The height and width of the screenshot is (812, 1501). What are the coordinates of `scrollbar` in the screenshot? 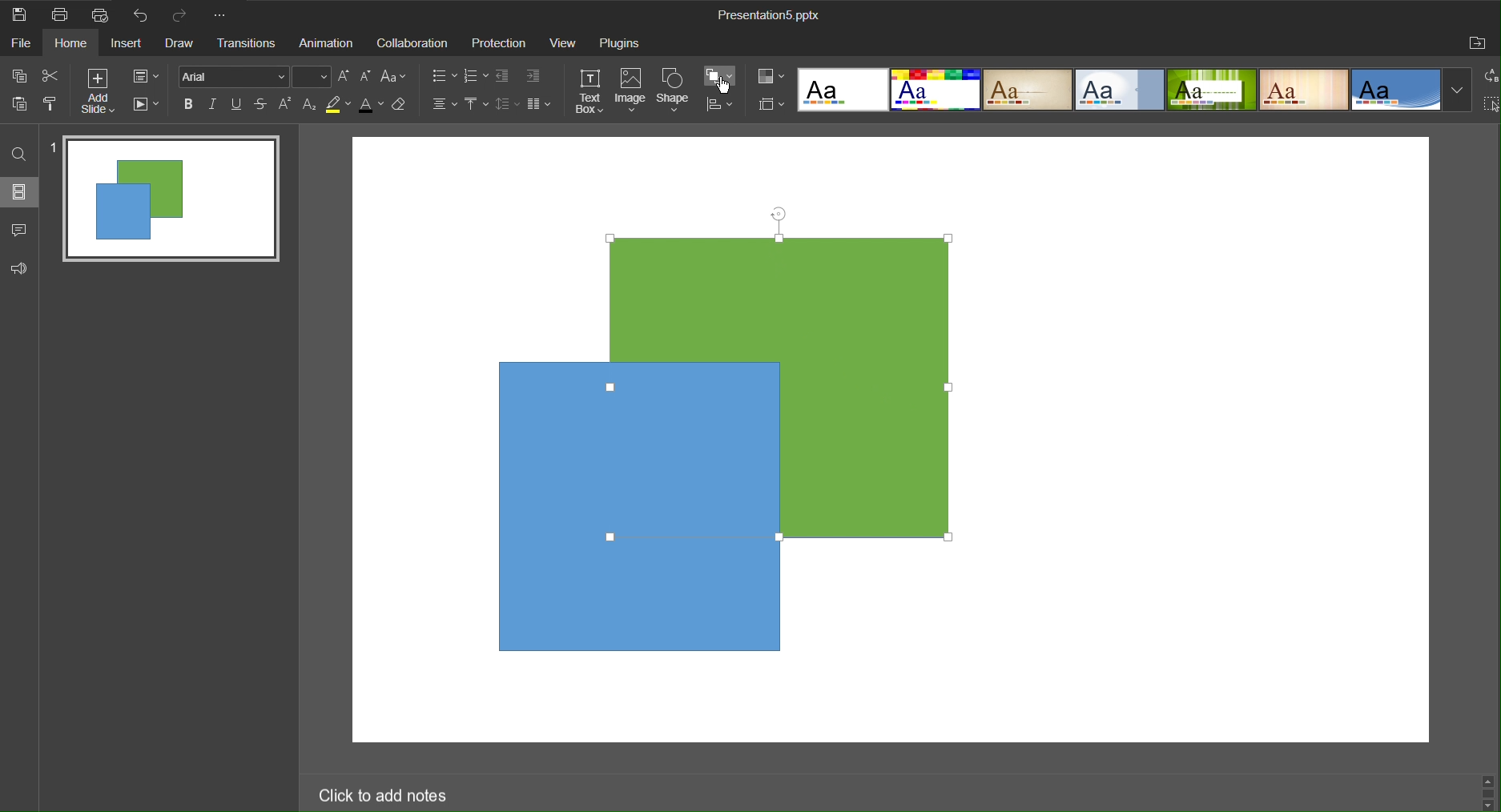 It's located at (1485, 790).